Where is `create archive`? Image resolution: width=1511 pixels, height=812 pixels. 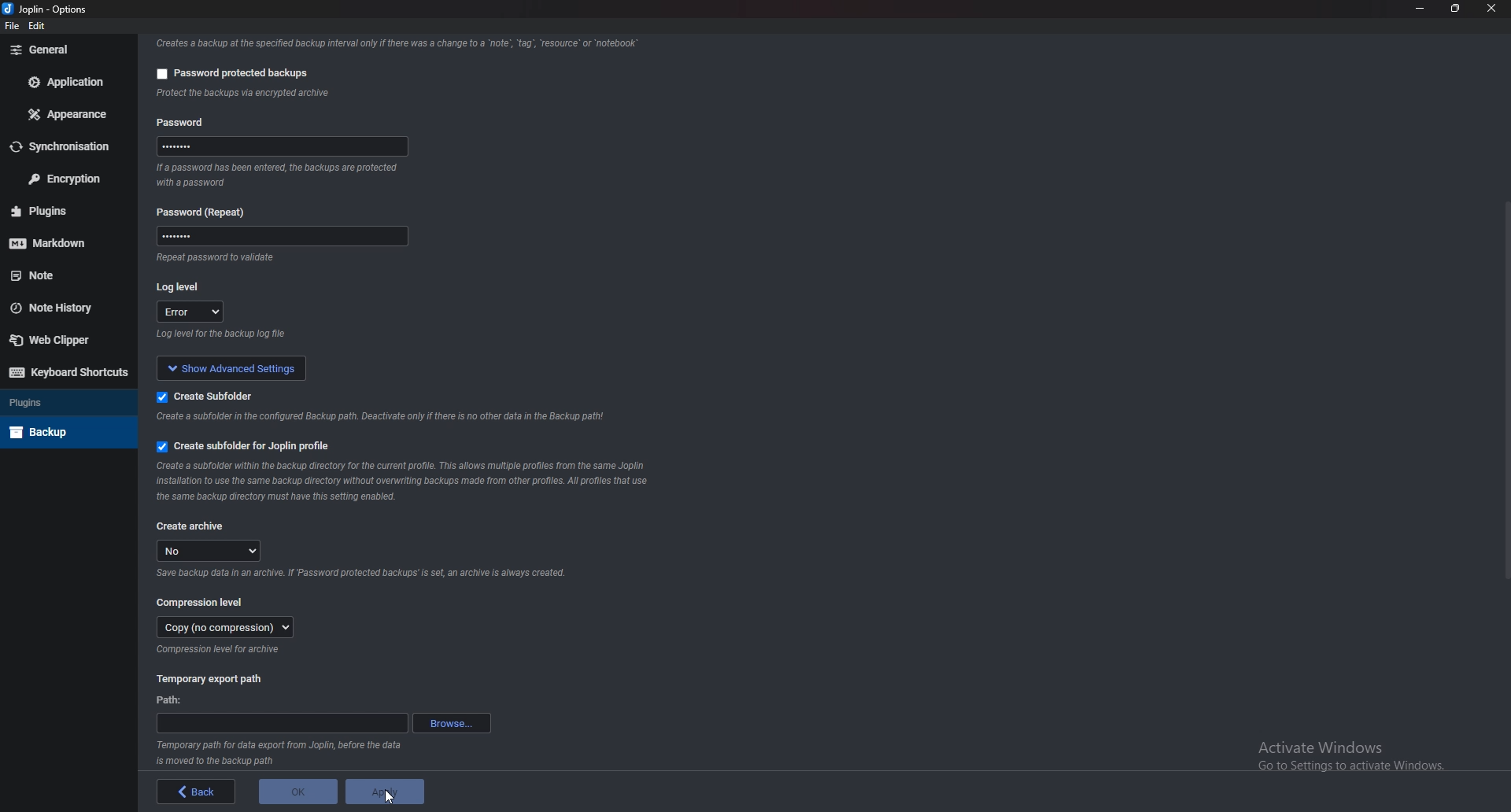
create archive is located at coordinates (192, 525).